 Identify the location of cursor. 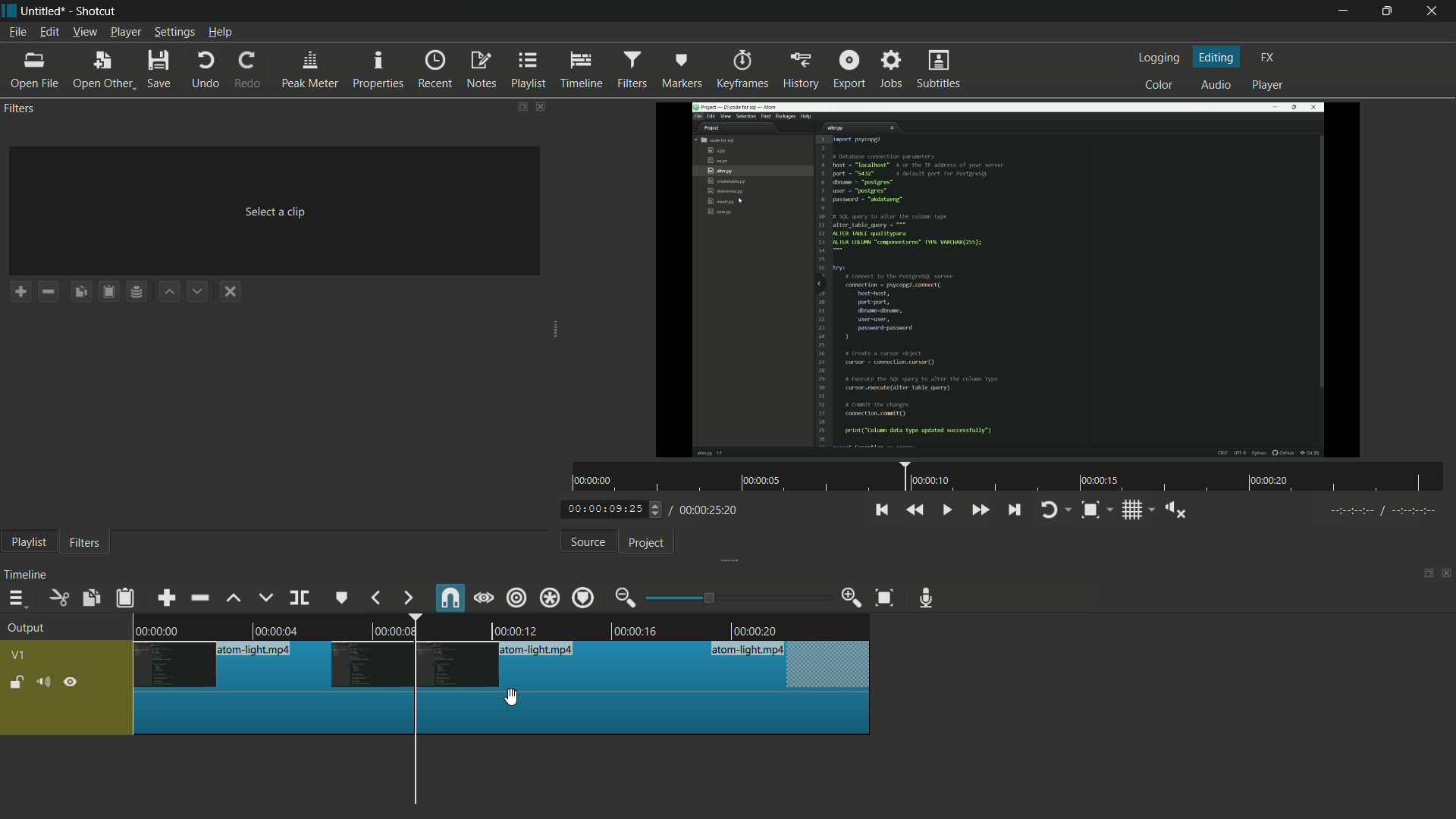
(516, 697).